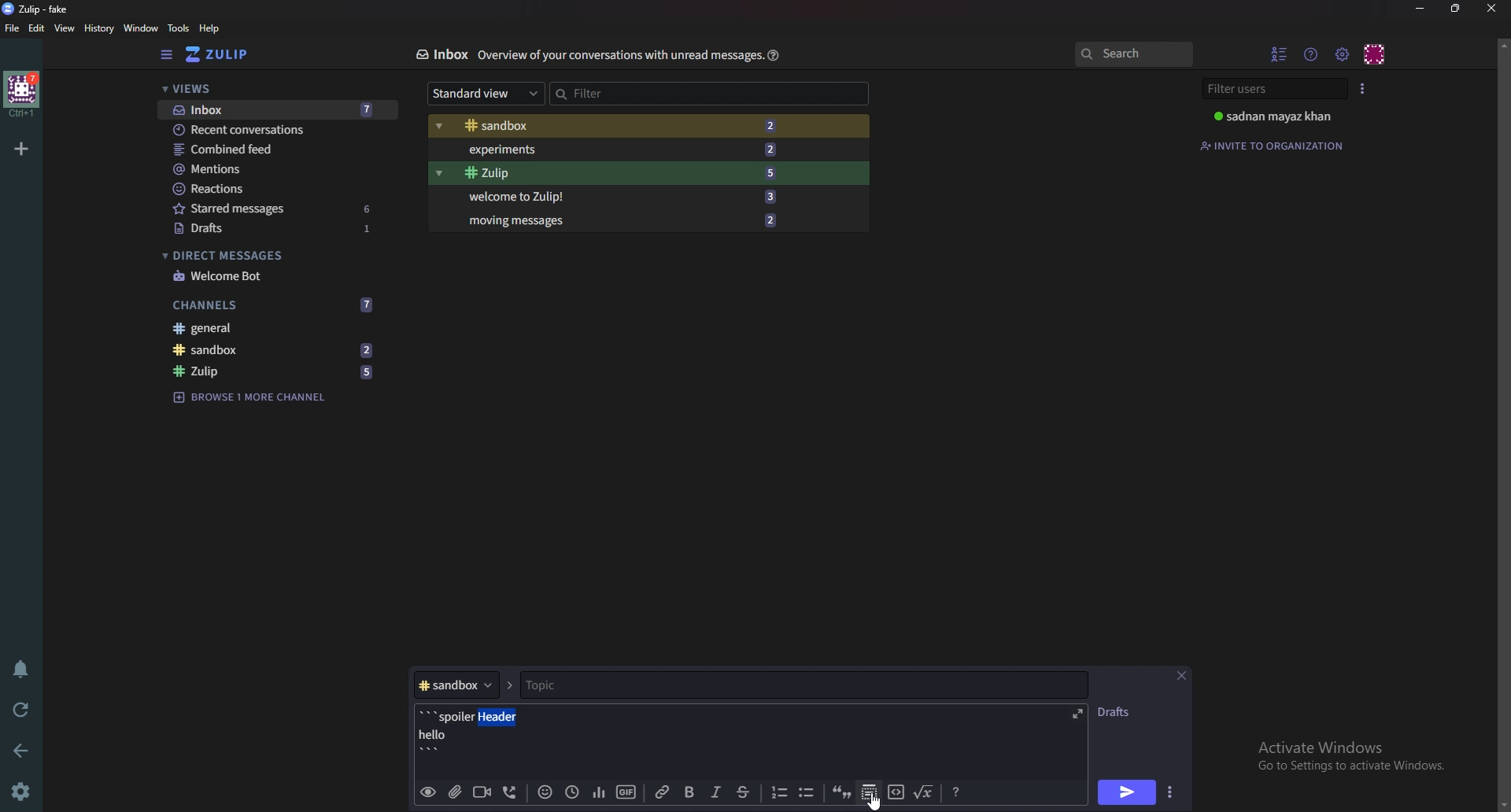  What do you see at coordinates (1375, 54) in the screenshot?
I see `Personal menu` at bounding box center [1375, 54].